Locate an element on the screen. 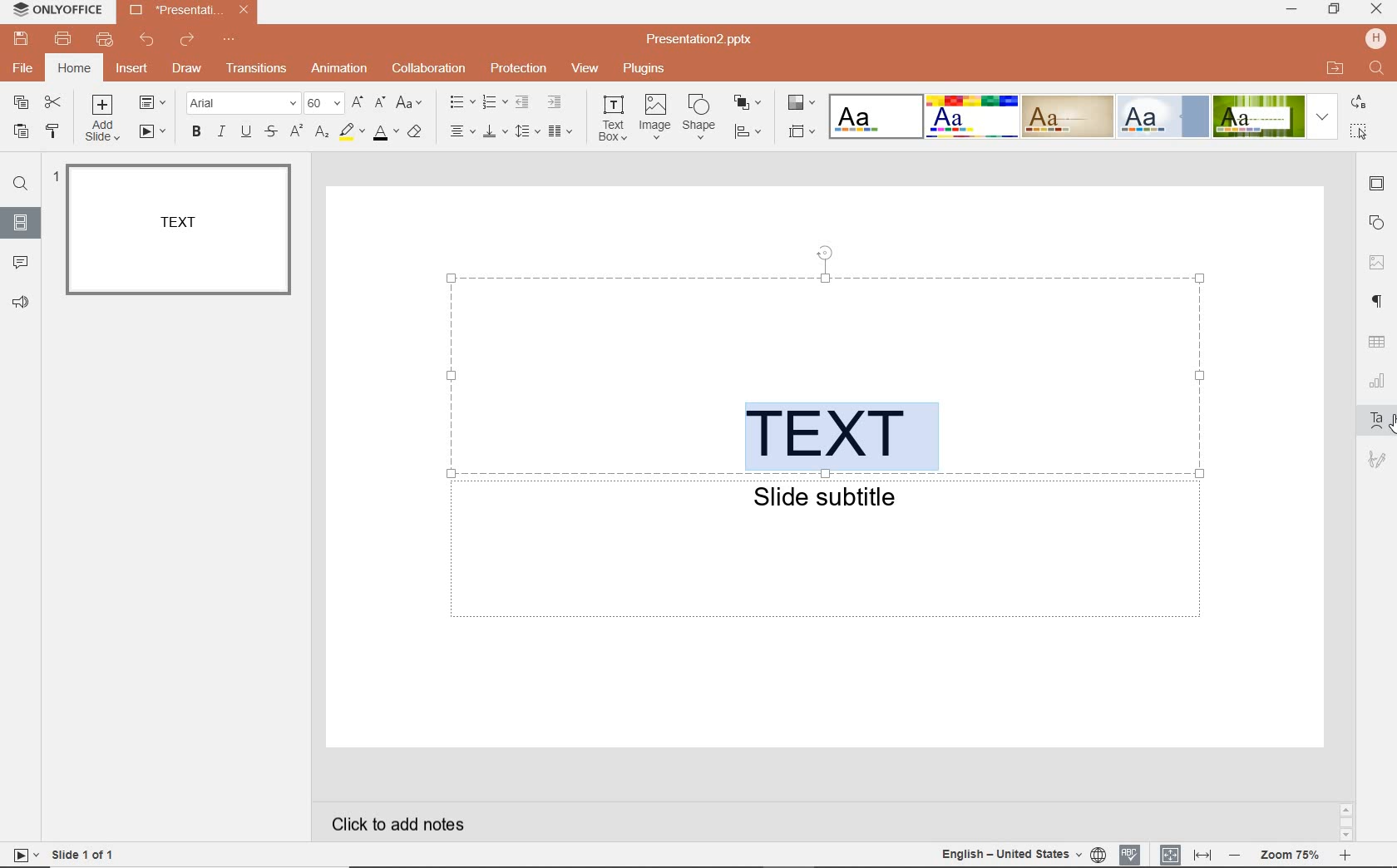 This screenshot has height=868, width=1397. PRINT is located at coordinates (64, 39).